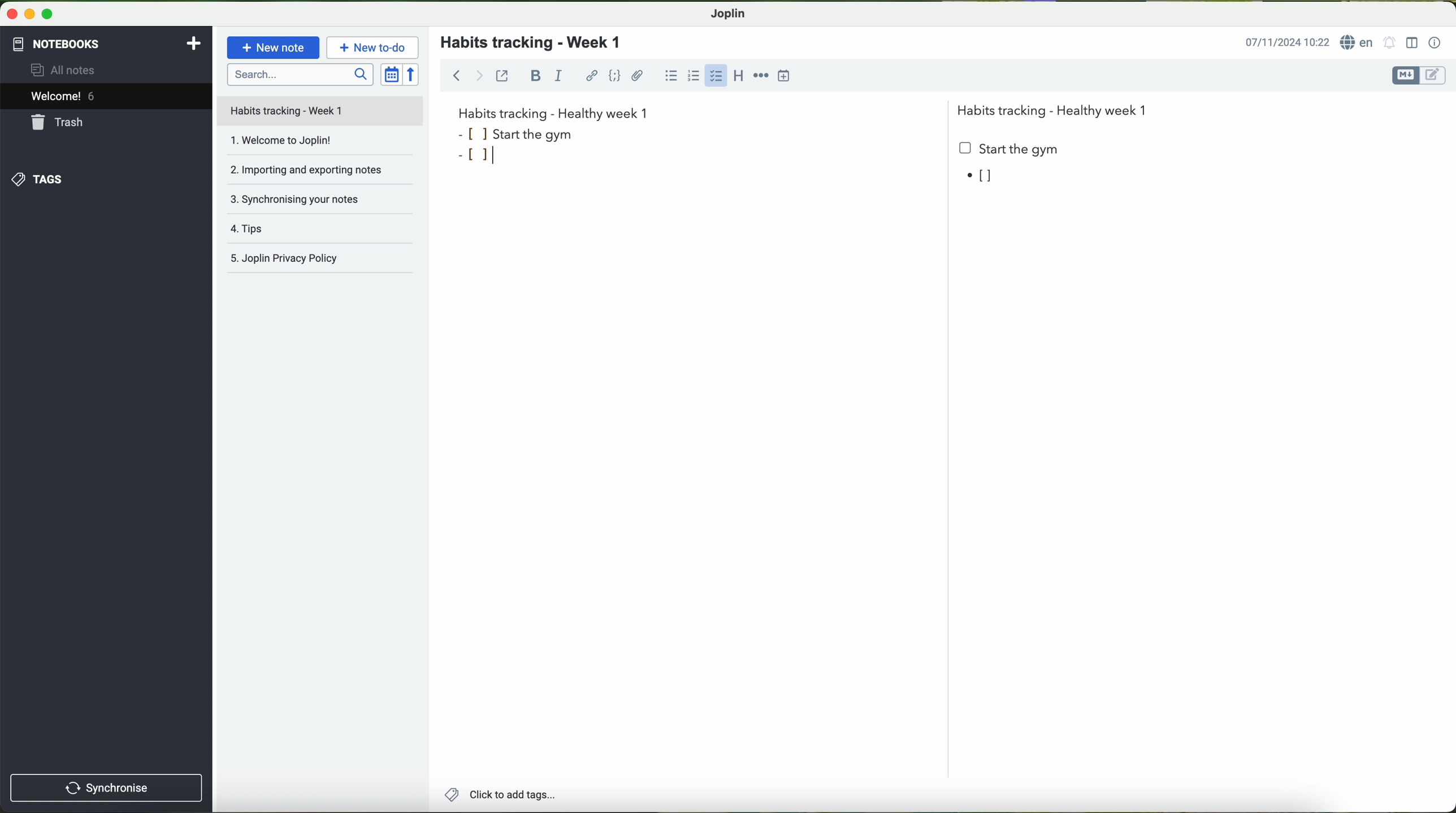 The image size is (1456, 813). Describe the element at coordinates (479, 75) in the screenshot. I see `forward` at that location.